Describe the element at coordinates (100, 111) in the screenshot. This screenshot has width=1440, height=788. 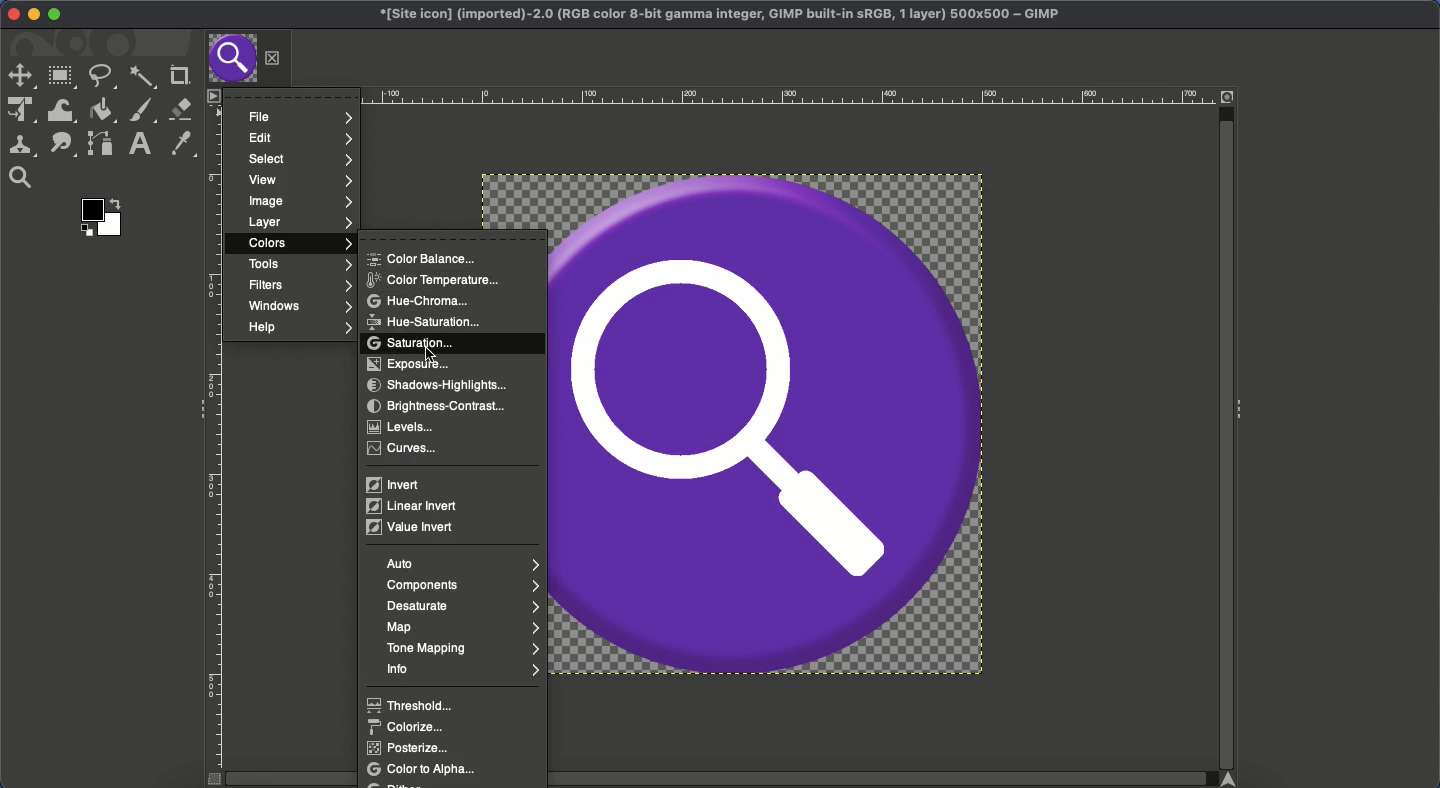
I see `Fill color` at that location.